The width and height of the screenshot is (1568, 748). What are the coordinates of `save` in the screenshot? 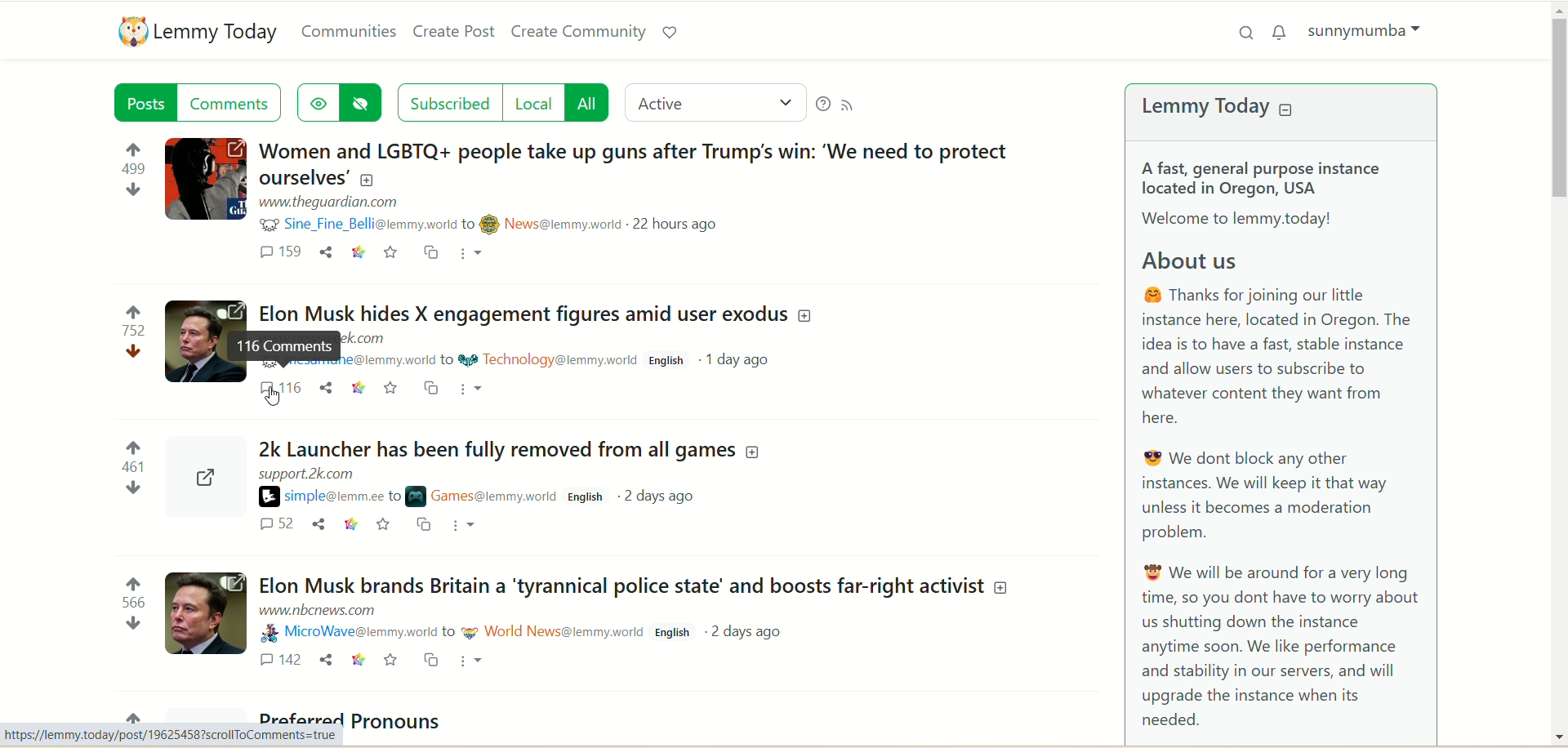 It's located at (392, 659).